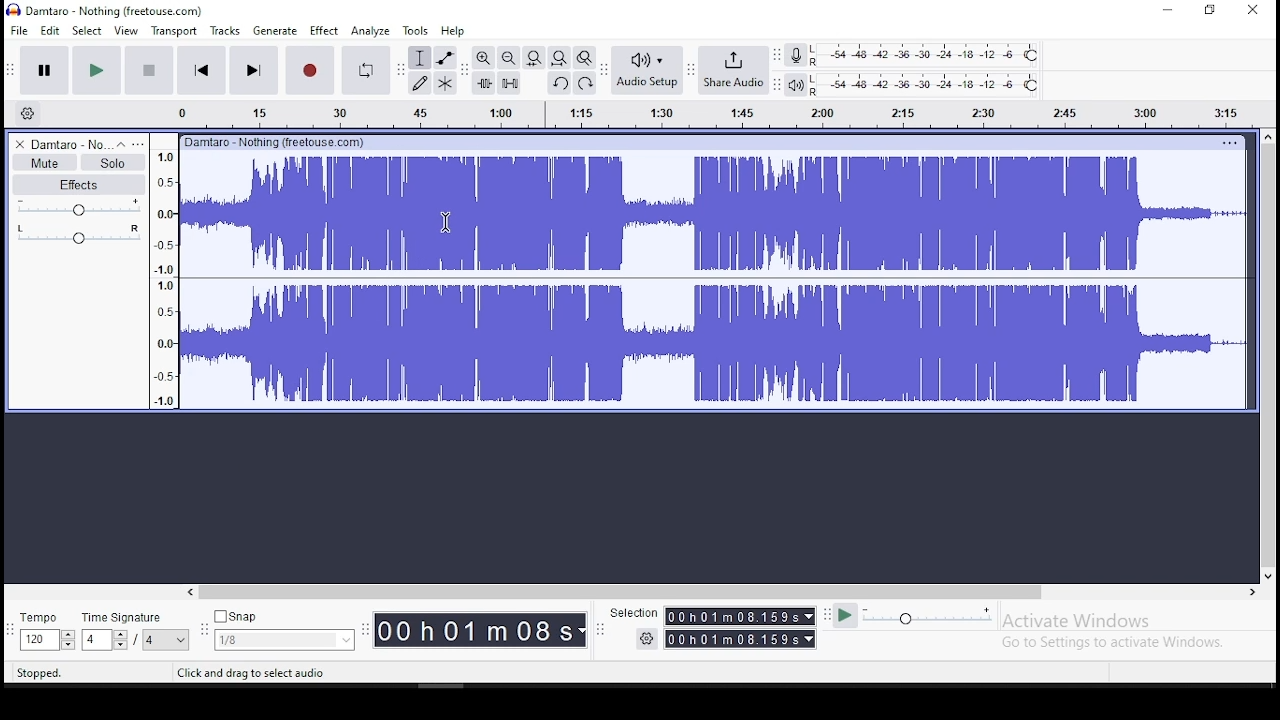 The height and width of the screenshot is (720, 1280). What do you see at coordinates (12, 630) in the screenshot?
I see `` at bounding box center [12, 630].